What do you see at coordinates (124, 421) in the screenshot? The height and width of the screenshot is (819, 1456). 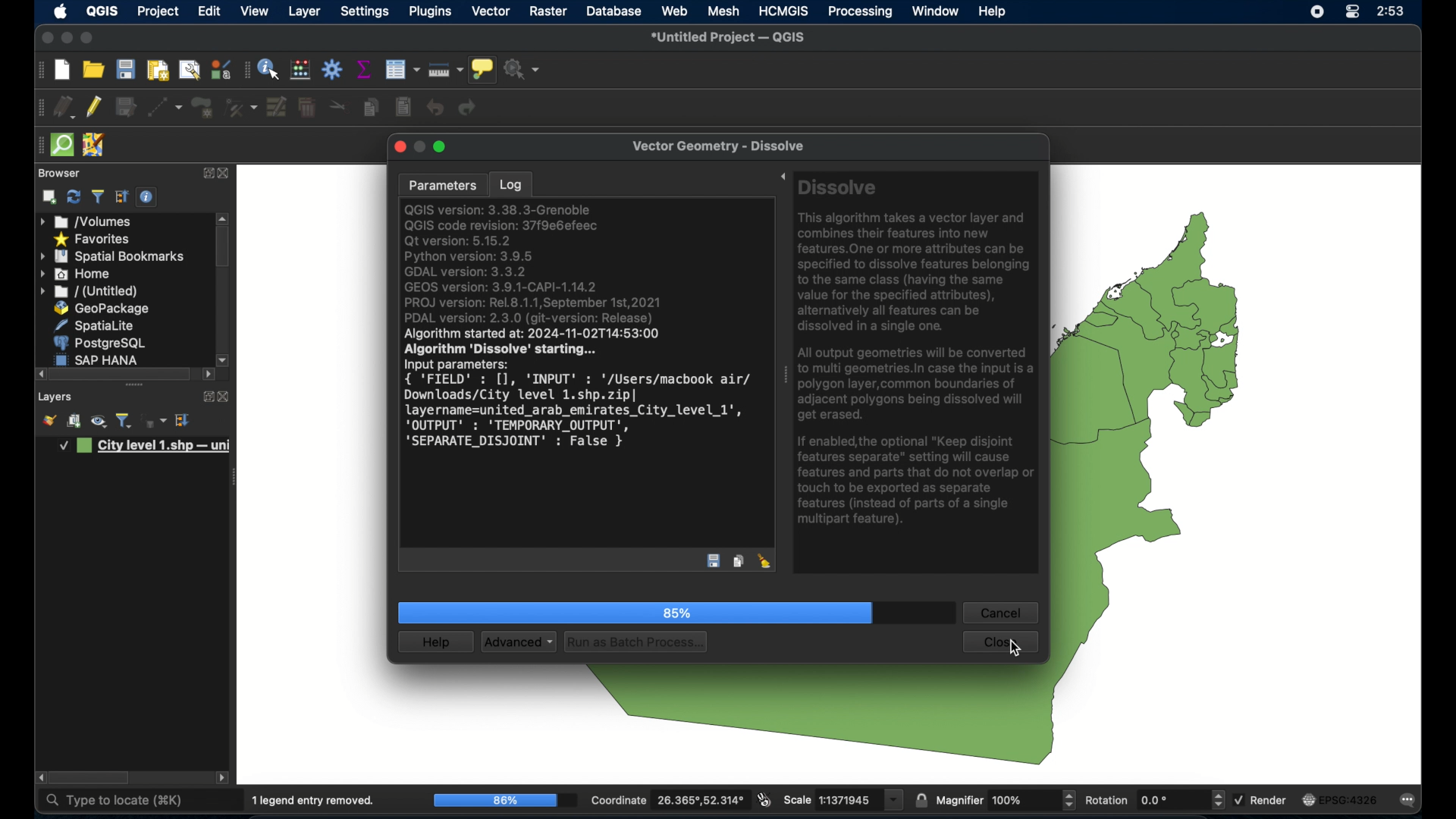 I see `filter legend` at bounding box center [124, 421].